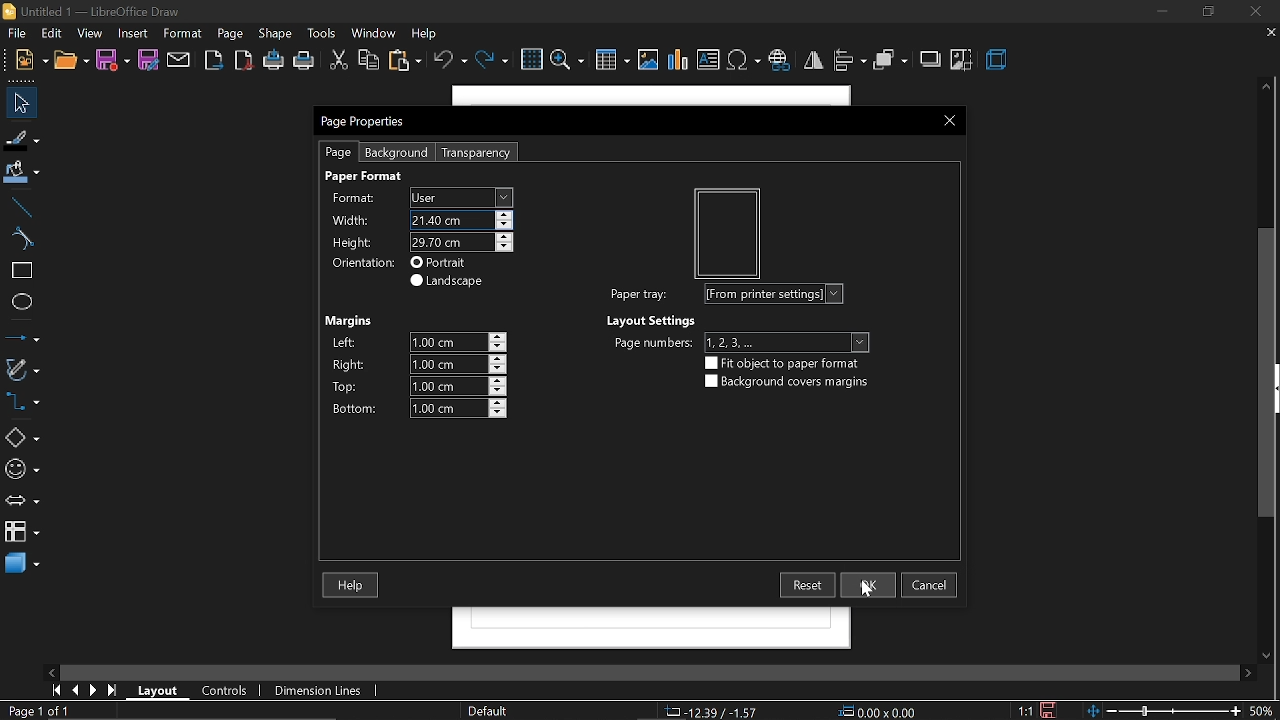 The width and height of the screenshot is (1280, 720). I want to click on curves, so click(22, 241).